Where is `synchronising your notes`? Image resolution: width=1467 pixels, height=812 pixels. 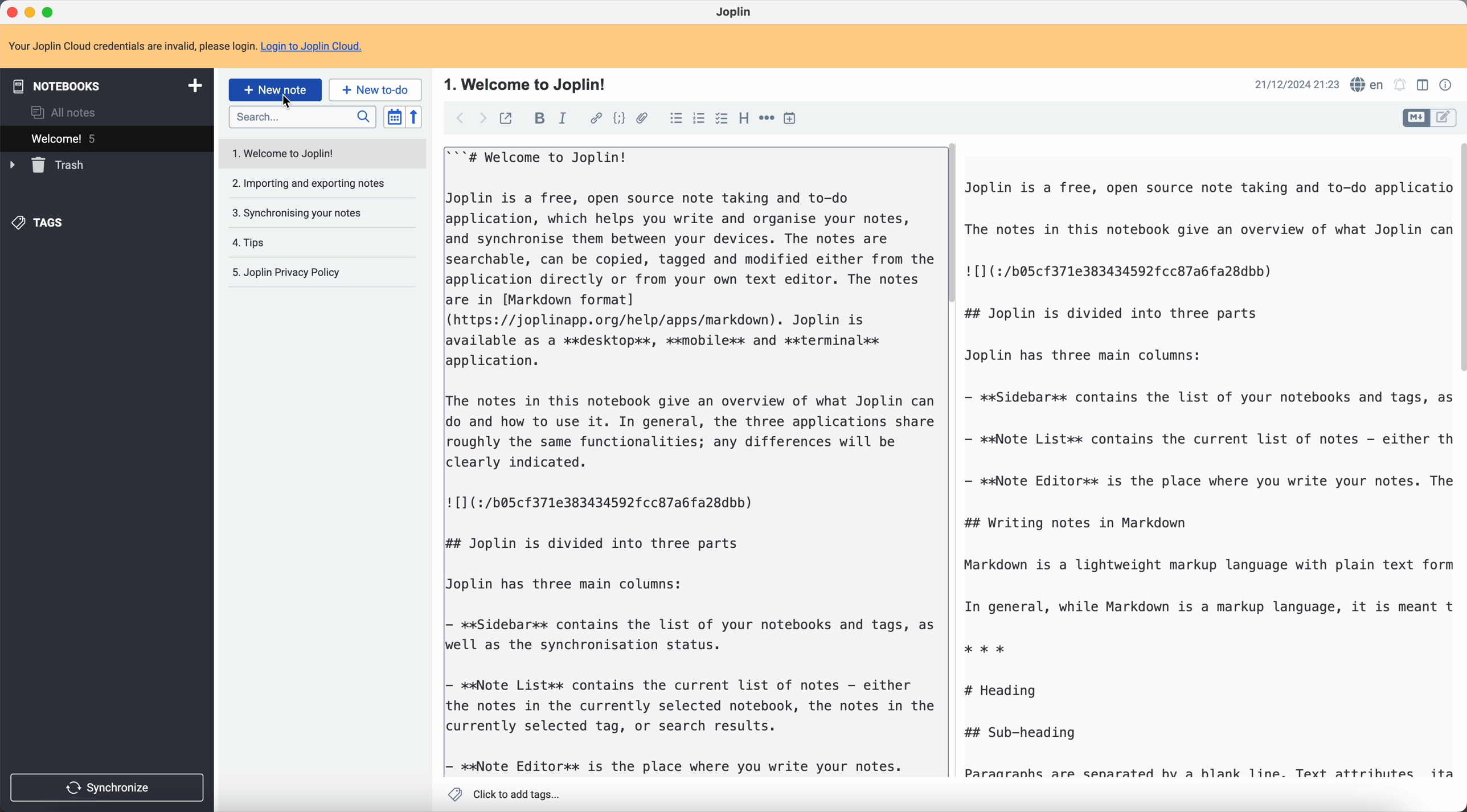 synchronising your notes is located at coordinates (300, 214).